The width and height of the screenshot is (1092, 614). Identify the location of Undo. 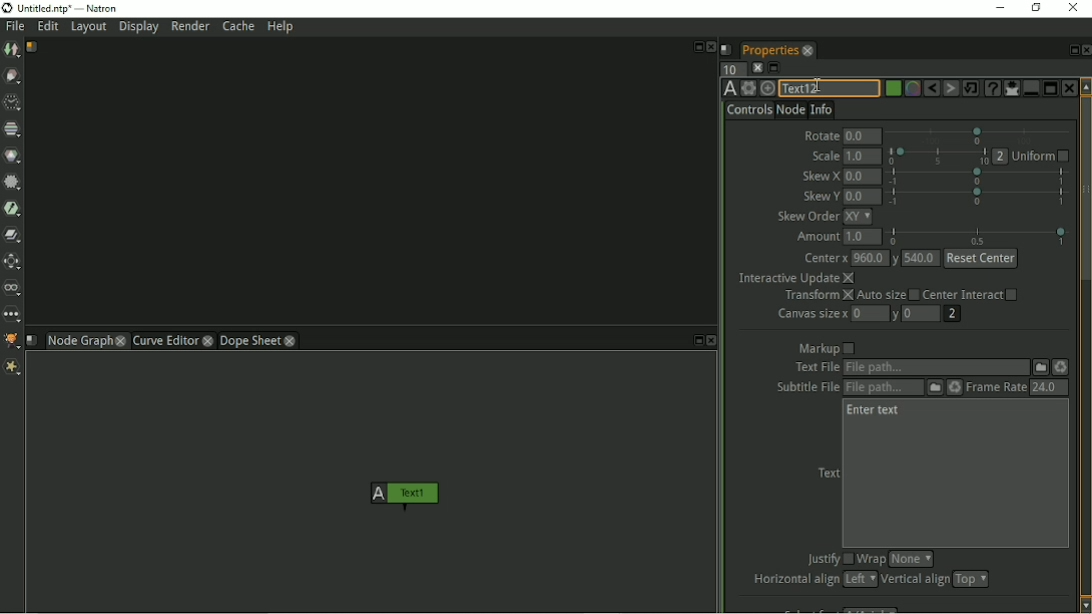
(931, 89).